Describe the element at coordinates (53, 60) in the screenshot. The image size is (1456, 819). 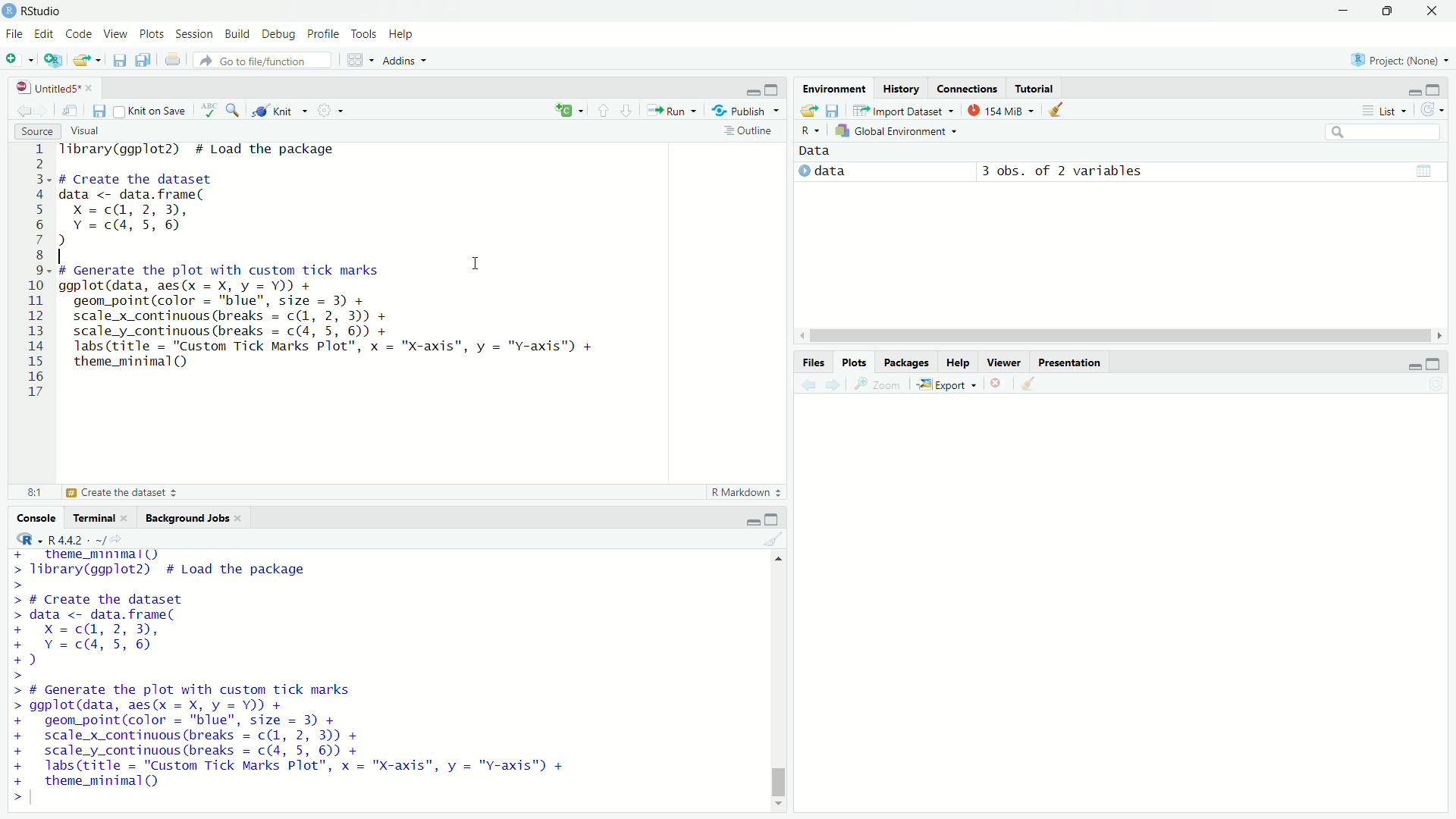
I see `create a project` at that location.